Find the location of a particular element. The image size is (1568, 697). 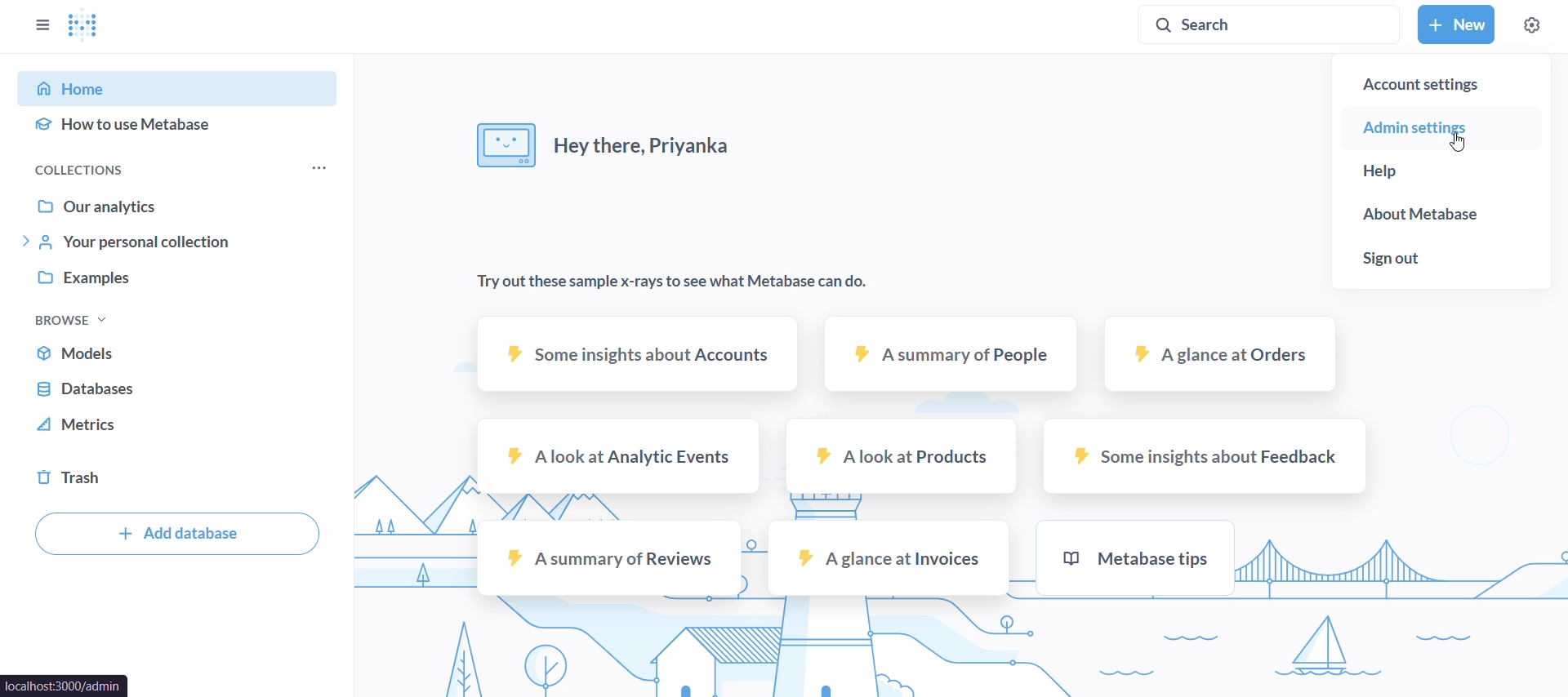

trash is located at coordinates (181, 480).